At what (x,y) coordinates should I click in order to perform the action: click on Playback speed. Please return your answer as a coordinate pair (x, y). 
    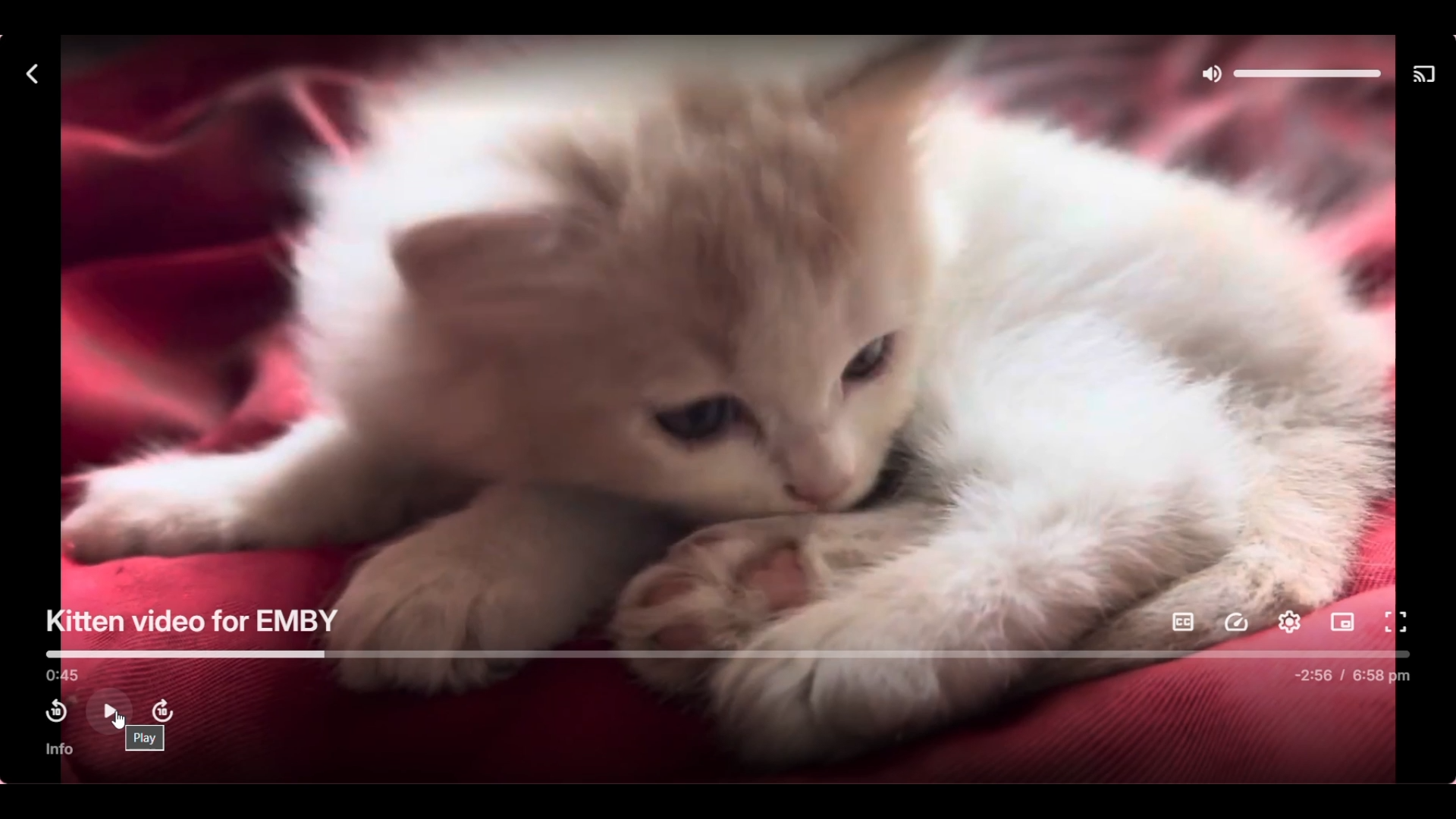
    Looking at the image, I should click on (1237, 622).